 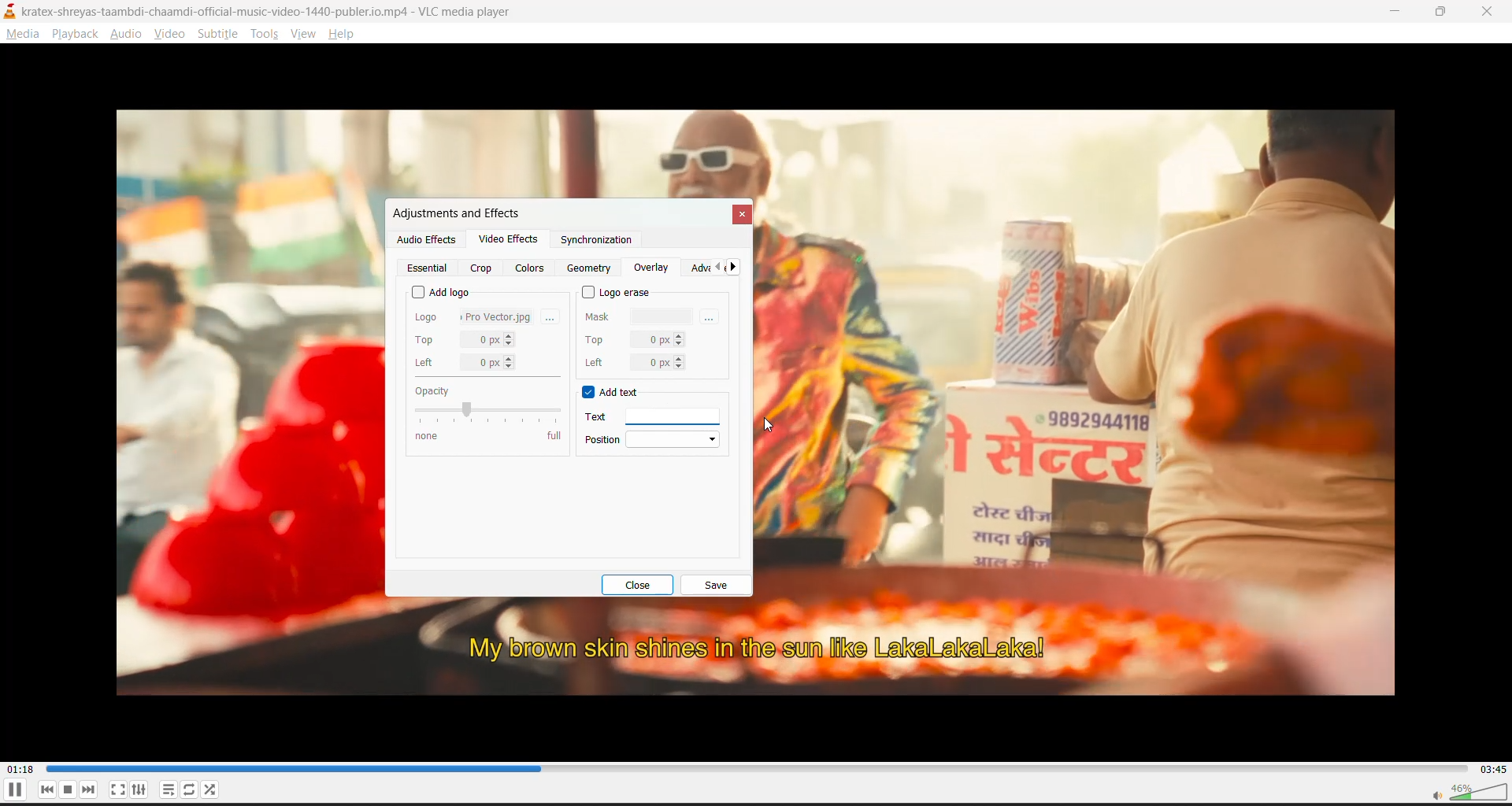 What do you see at coordinates (166, 790) in the screenshot?
I see `playlist` at bounding box center [166, 790].